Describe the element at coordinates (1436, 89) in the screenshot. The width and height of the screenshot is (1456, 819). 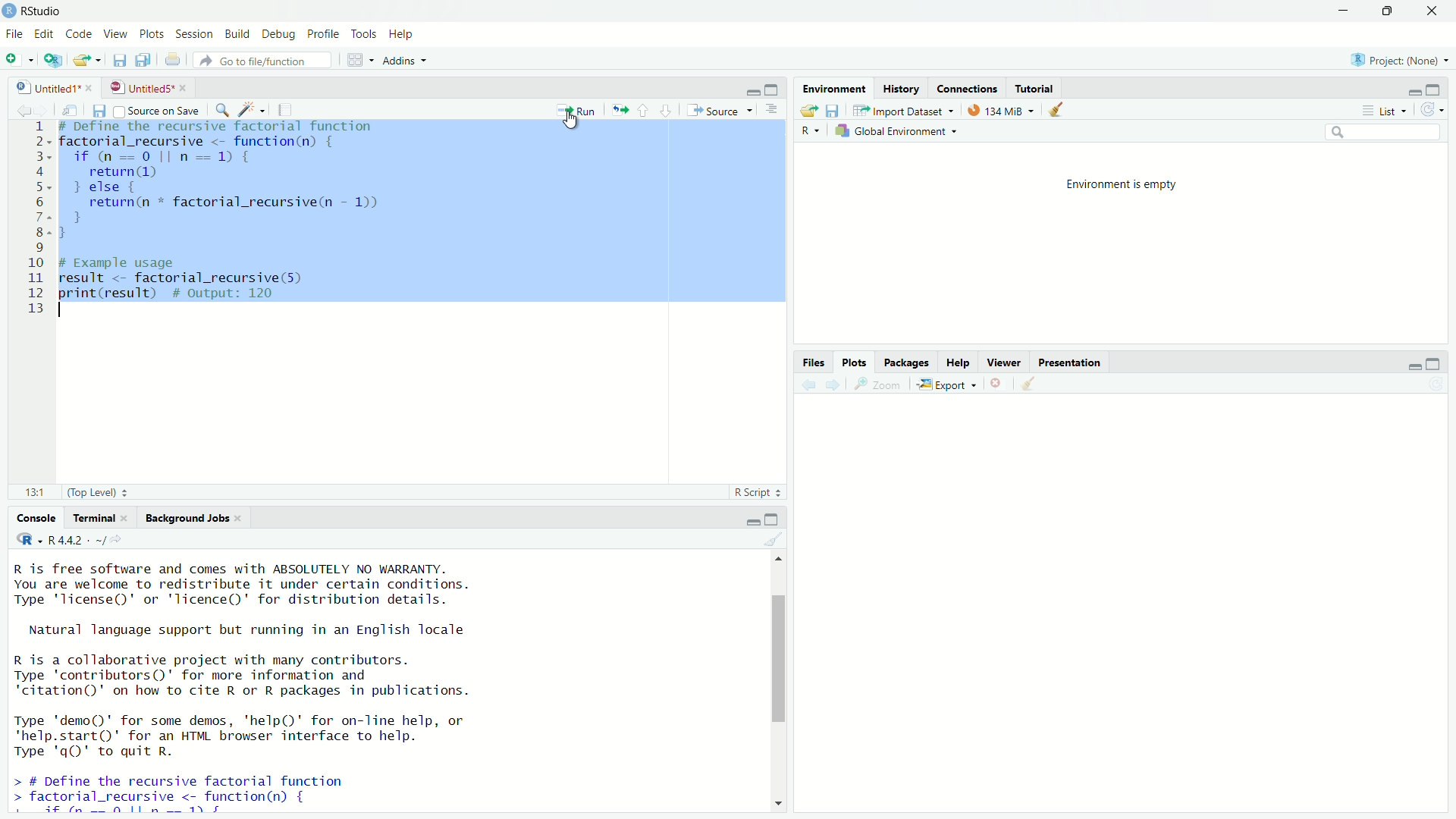
I see `Maximize` at that location.